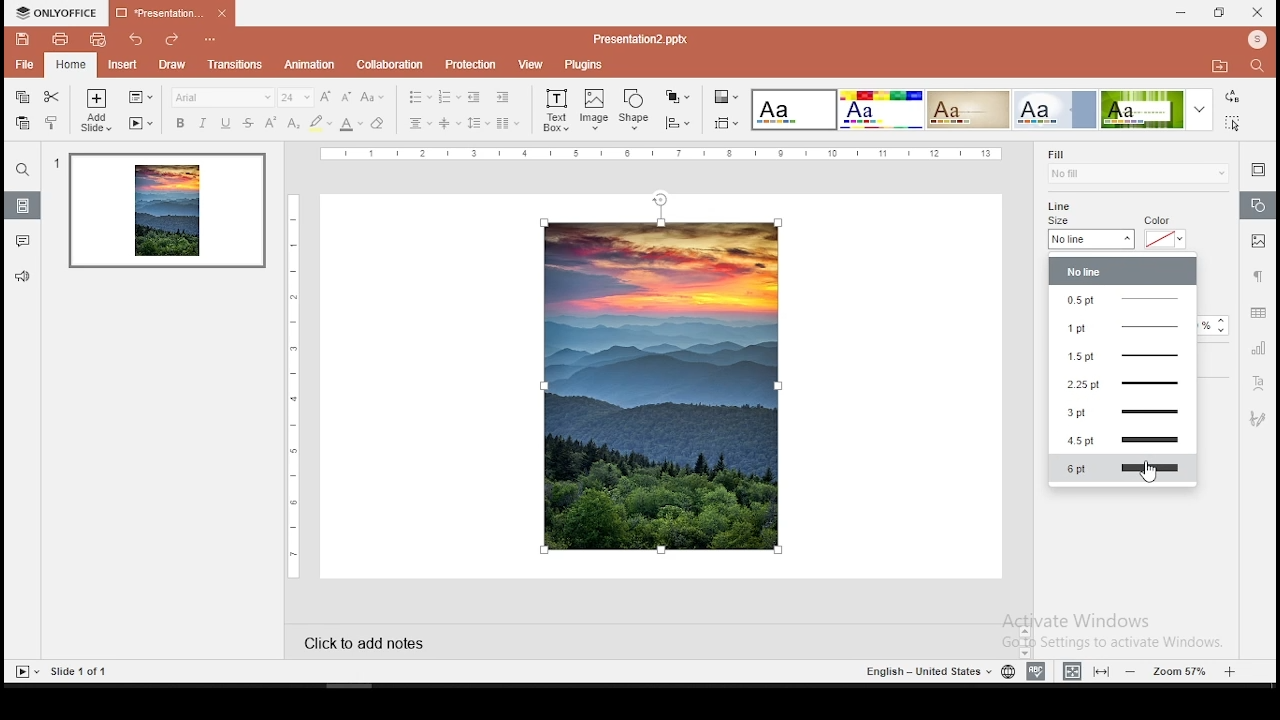 The width and height of the screenshot is (1280, 720). I want to click on slide settings, so click(1256, 169).